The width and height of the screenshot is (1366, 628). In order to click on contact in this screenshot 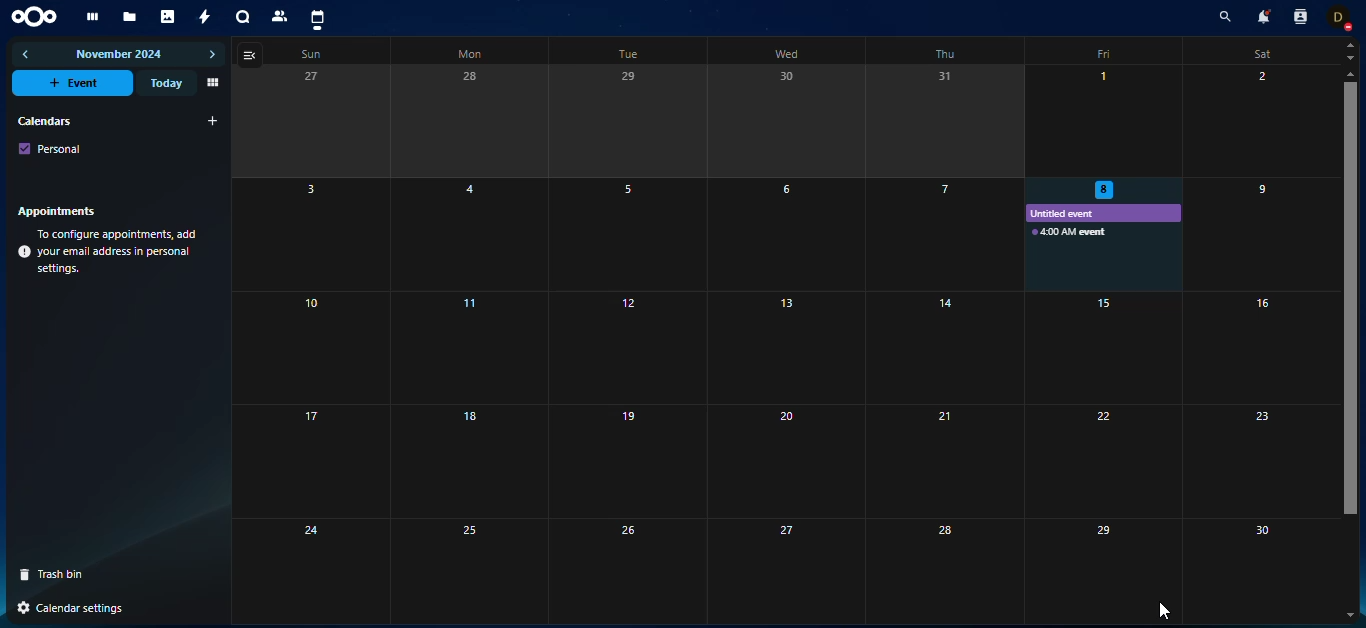, I will do `click(281, 16)`.